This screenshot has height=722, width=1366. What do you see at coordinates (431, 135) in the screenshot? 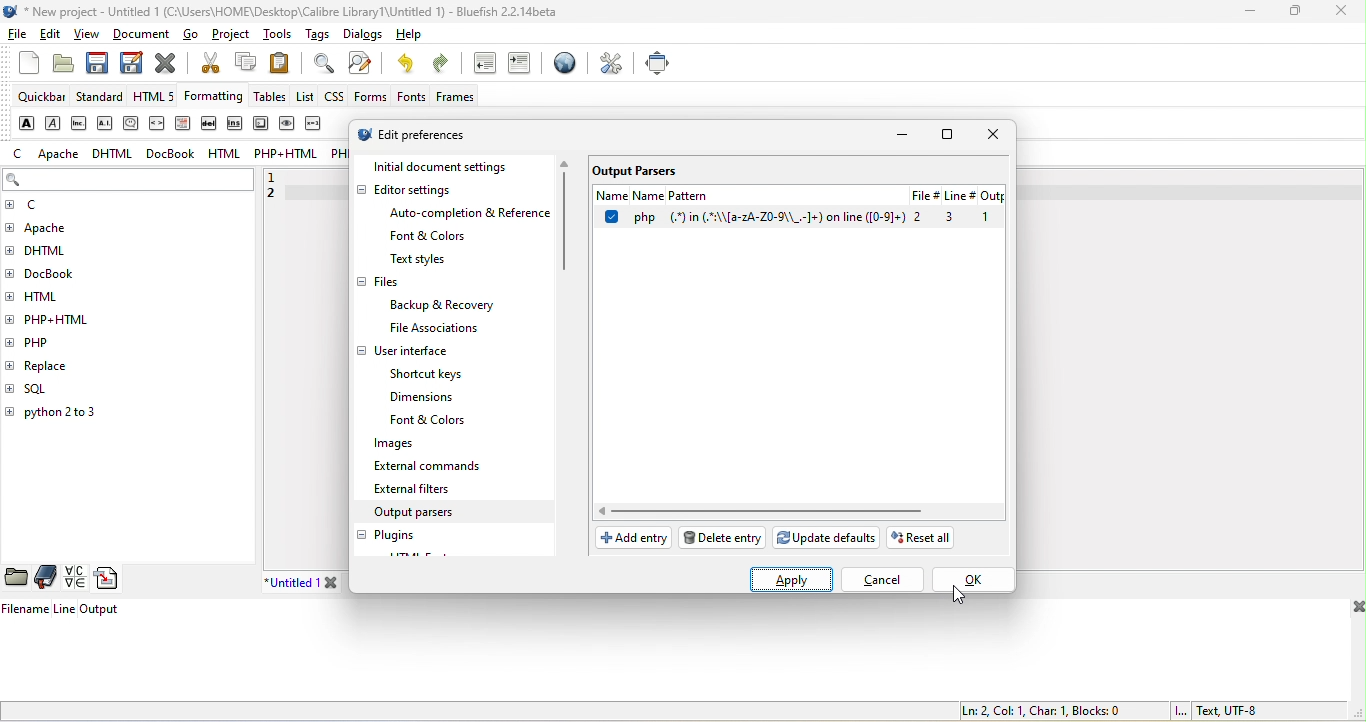
I see `edit preferences` at bounding box center [431, 135].